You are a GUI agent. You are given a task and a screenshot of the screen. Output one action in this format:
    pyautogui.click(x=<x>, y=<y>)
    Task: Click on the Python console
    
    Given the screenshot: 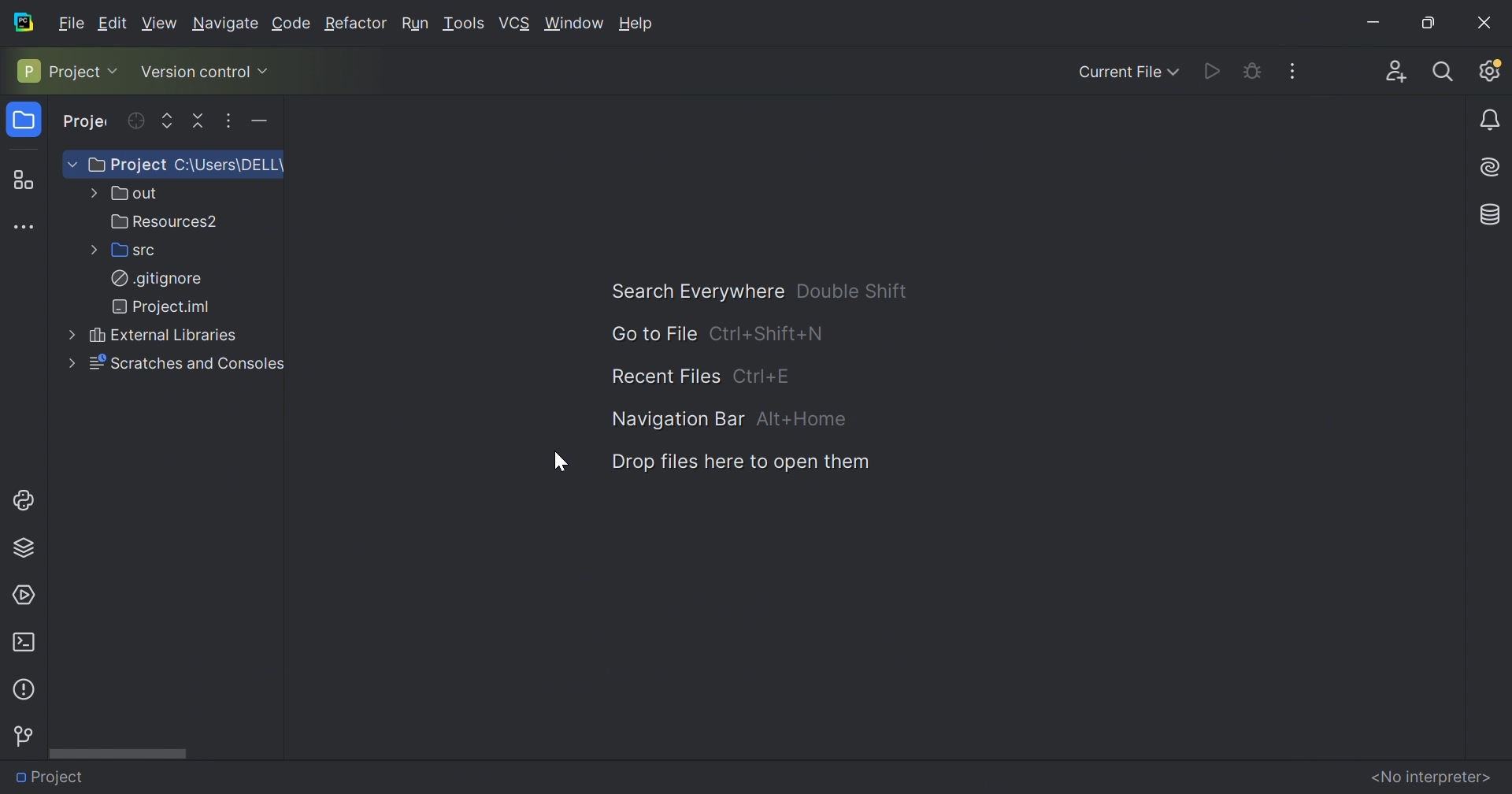 What is the action you would take?
    pyautogui.click(x=27, y=499)
    